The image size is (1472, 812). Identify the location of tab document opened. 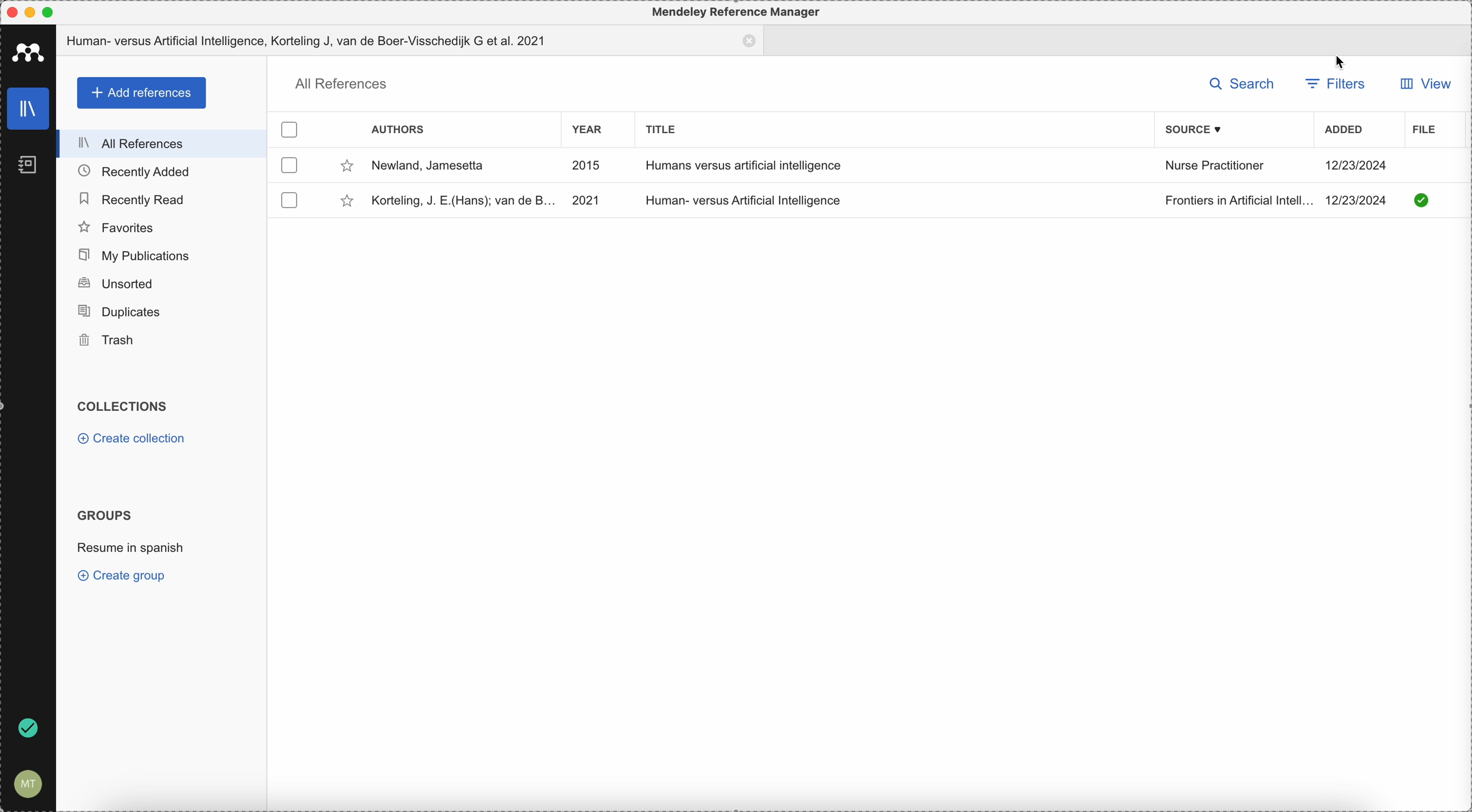
(410, 41).